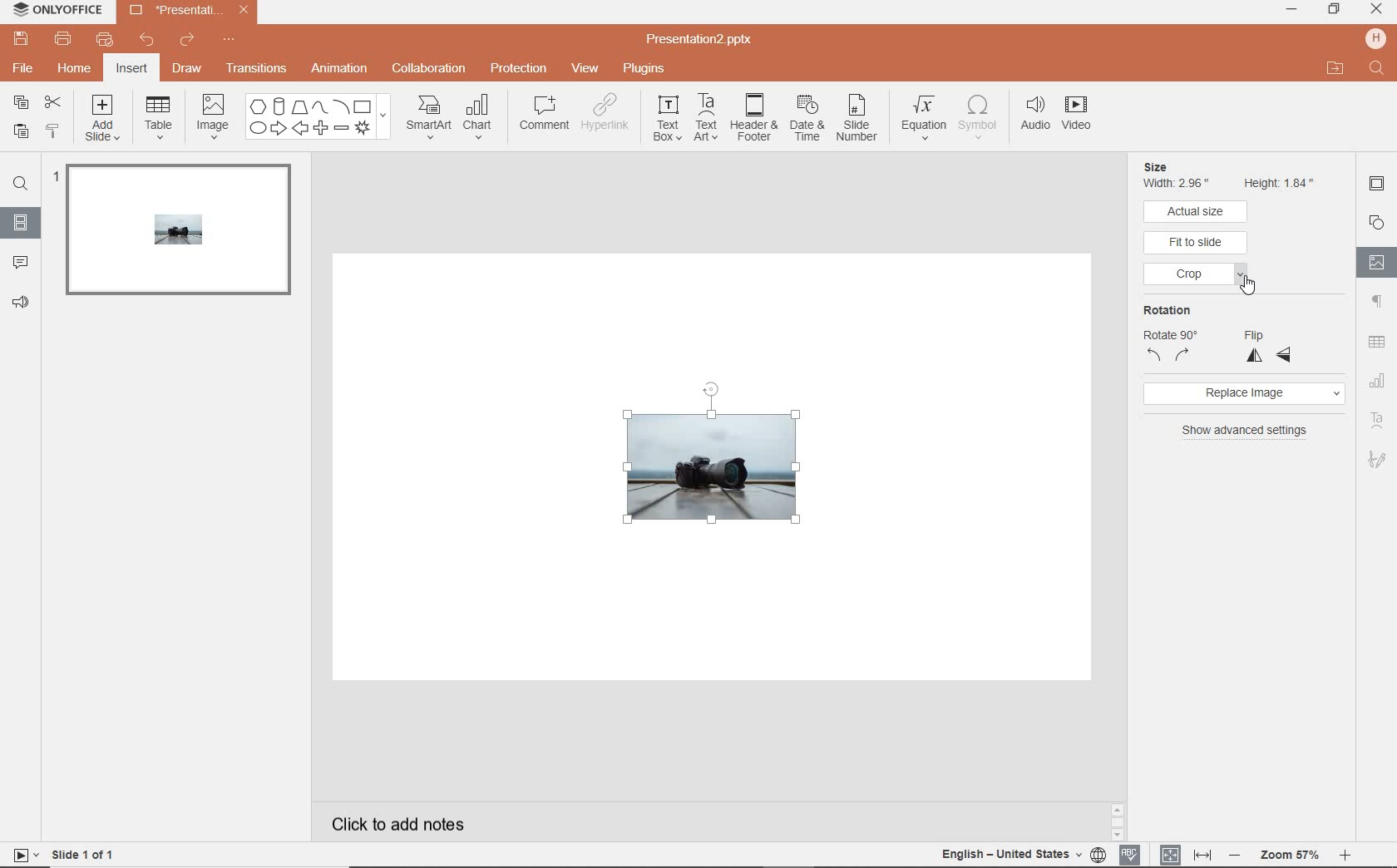 This screenshot has height=868, width=1397. I want to click on table, so click(161, 117).